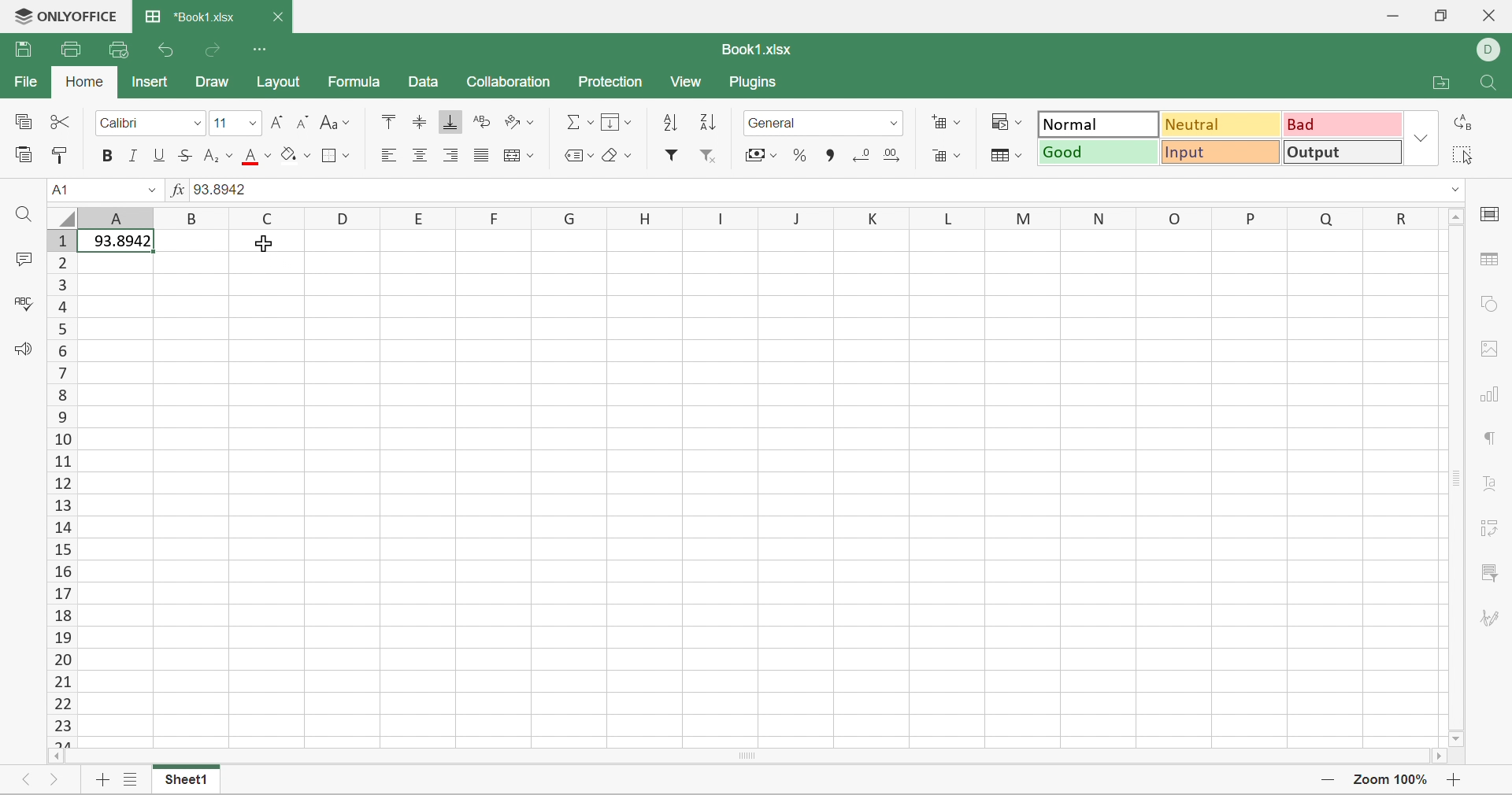  Describe the element at coordinates (615, 120) in the screenshot. I see `Fill` at that location.